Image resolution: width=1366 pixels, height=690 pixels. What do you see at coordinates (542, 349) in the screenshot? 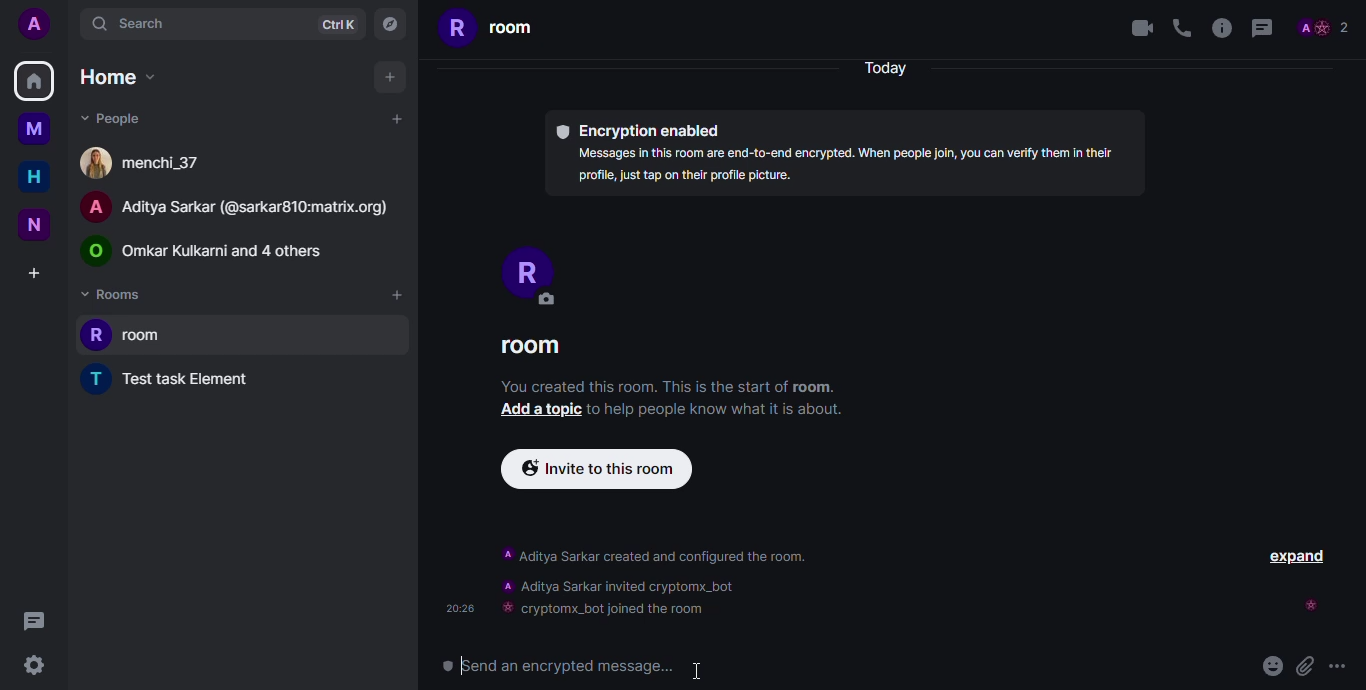
I see `ROOM` at bounding box center [542, 349].